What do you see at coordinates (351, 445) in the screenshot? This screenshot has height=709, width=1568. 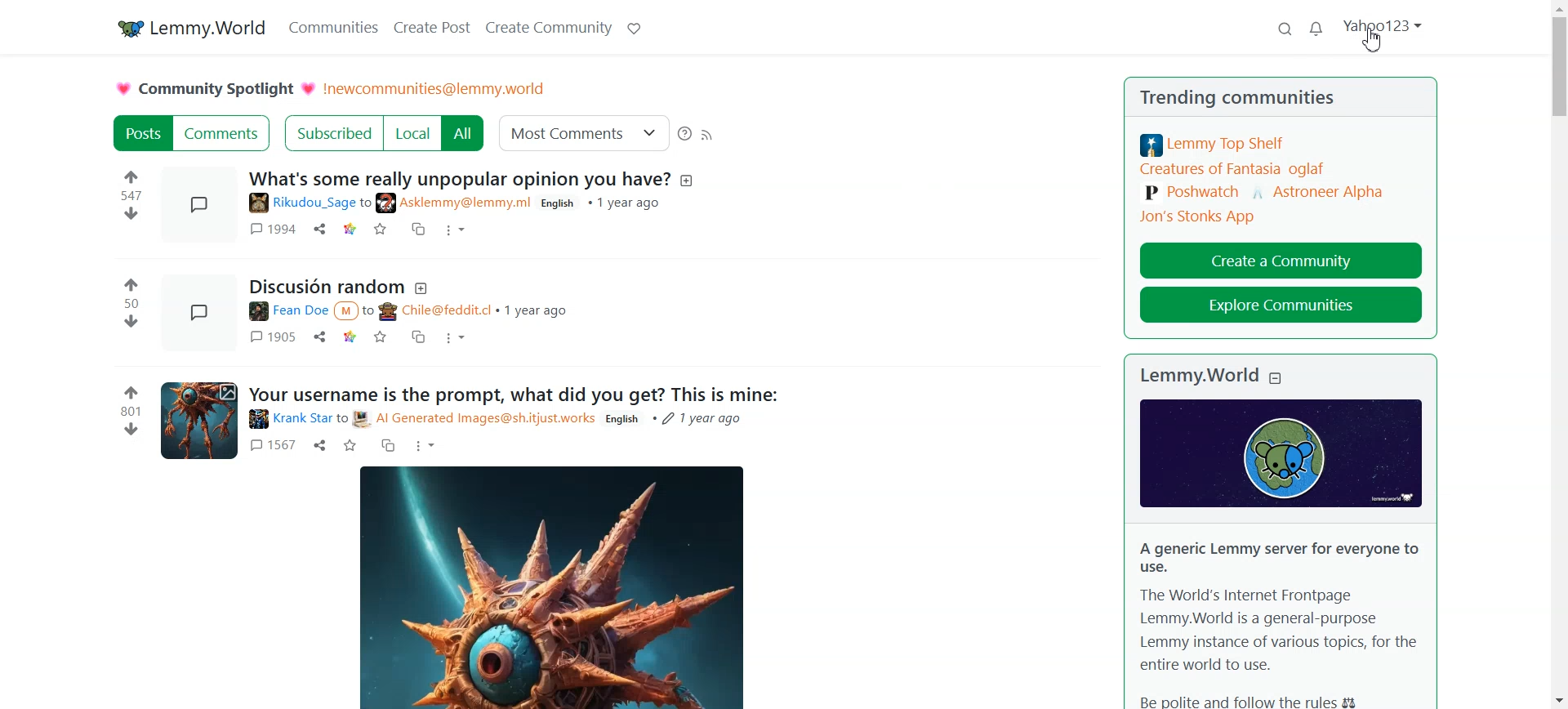 I see `save` at bounding box center [351, 445].